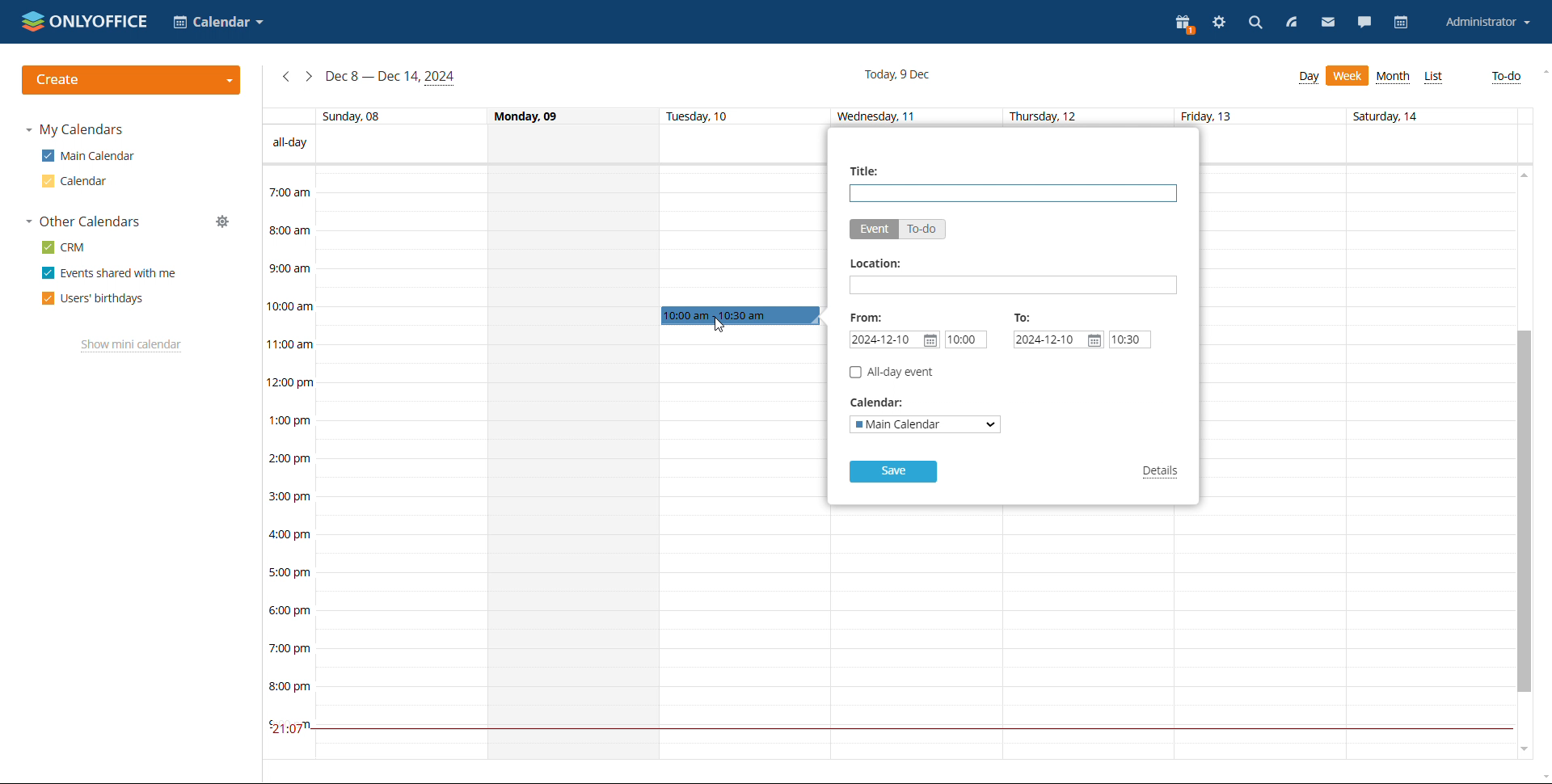 This screenshot has height=784, width=1552. I want to click on month view, so click(1395, 78).